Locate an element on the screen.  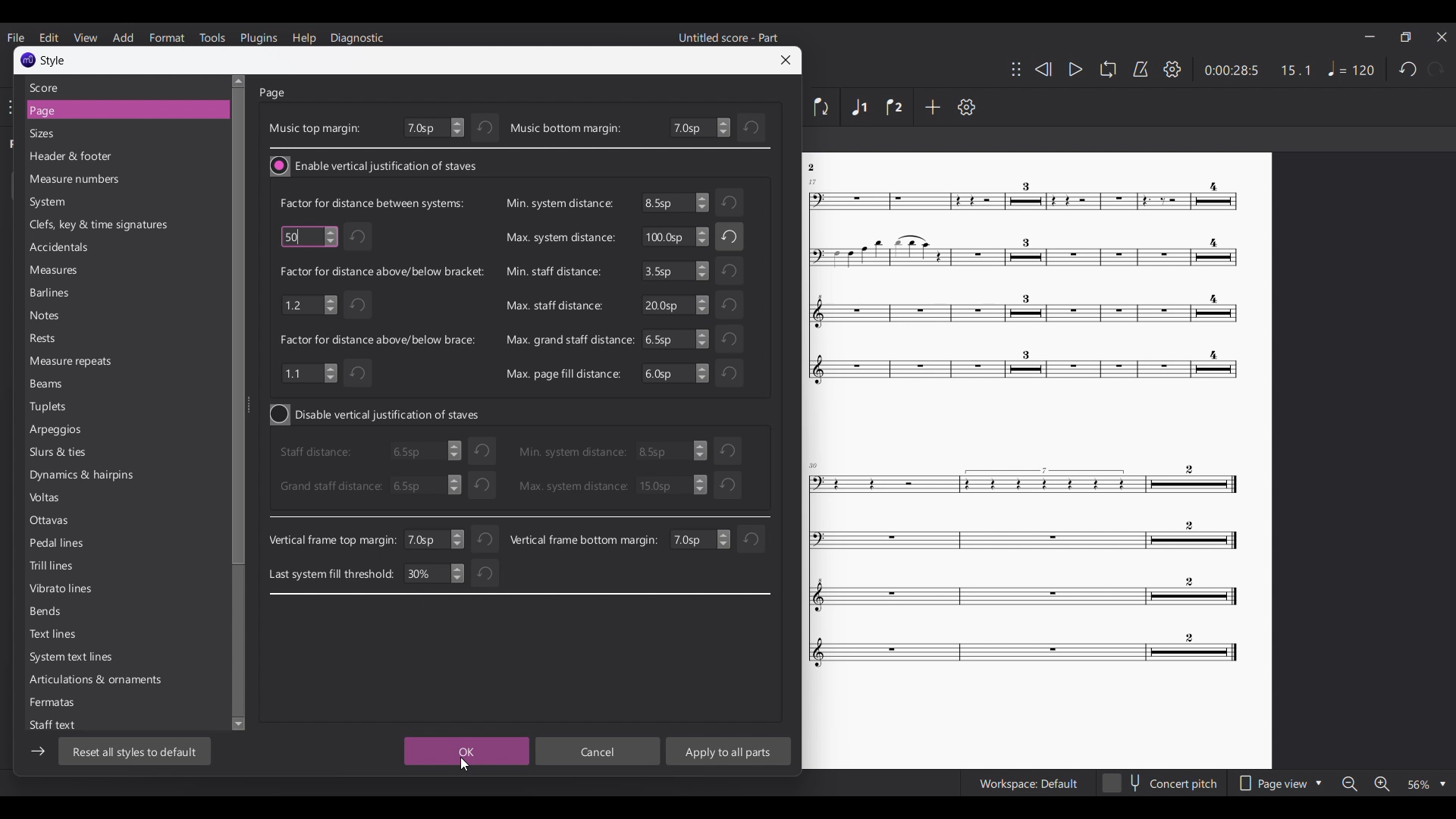
reset is located at coordinates (751, 539).